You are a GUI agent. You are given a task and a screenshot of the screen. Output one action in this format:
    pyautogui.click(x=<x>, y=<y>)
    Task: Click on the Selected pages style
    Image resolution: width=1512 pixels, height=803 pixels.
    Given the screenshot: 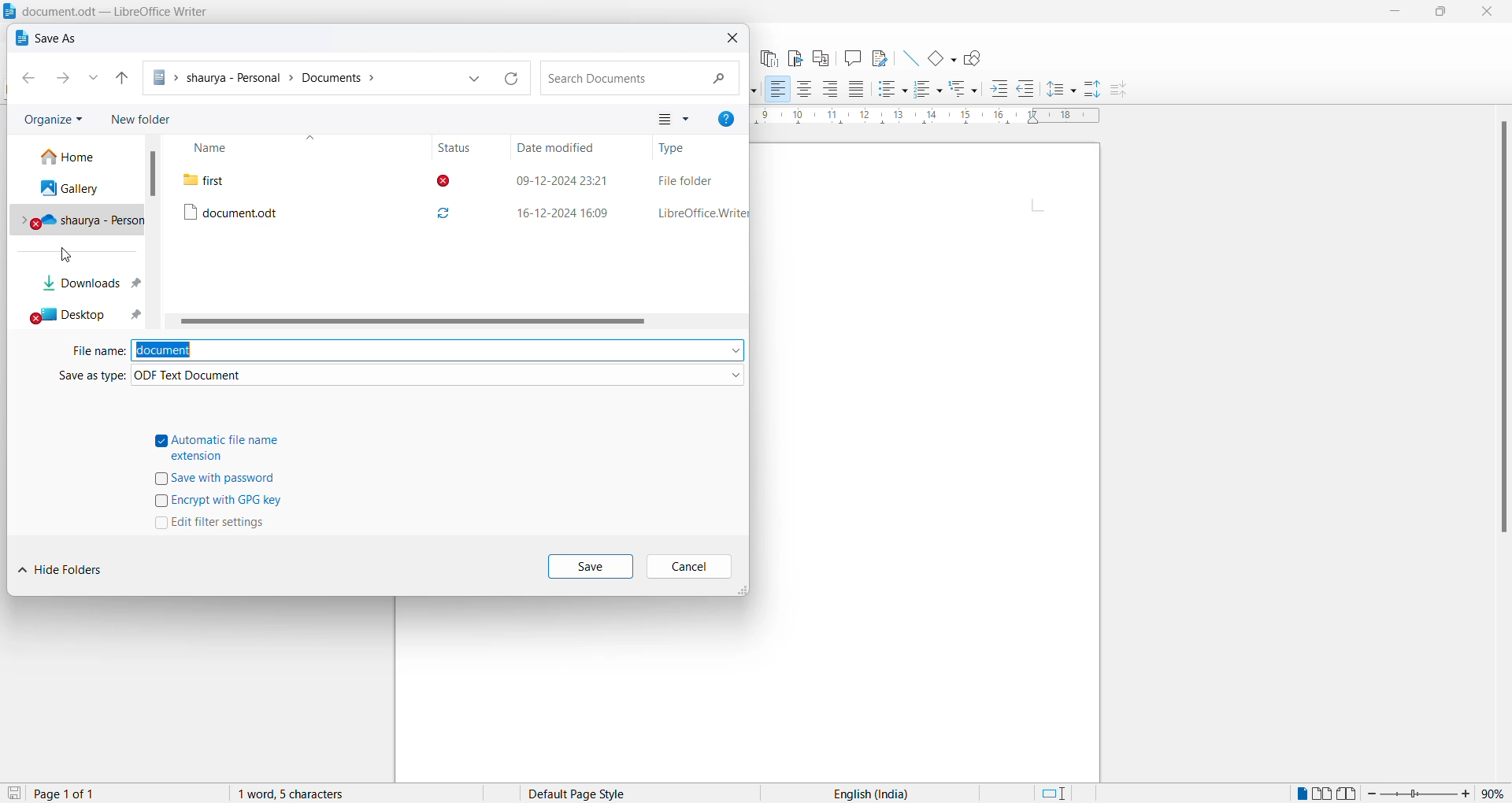 What is the action you would take?
    pyautogui.click(x=590, y=794)
    